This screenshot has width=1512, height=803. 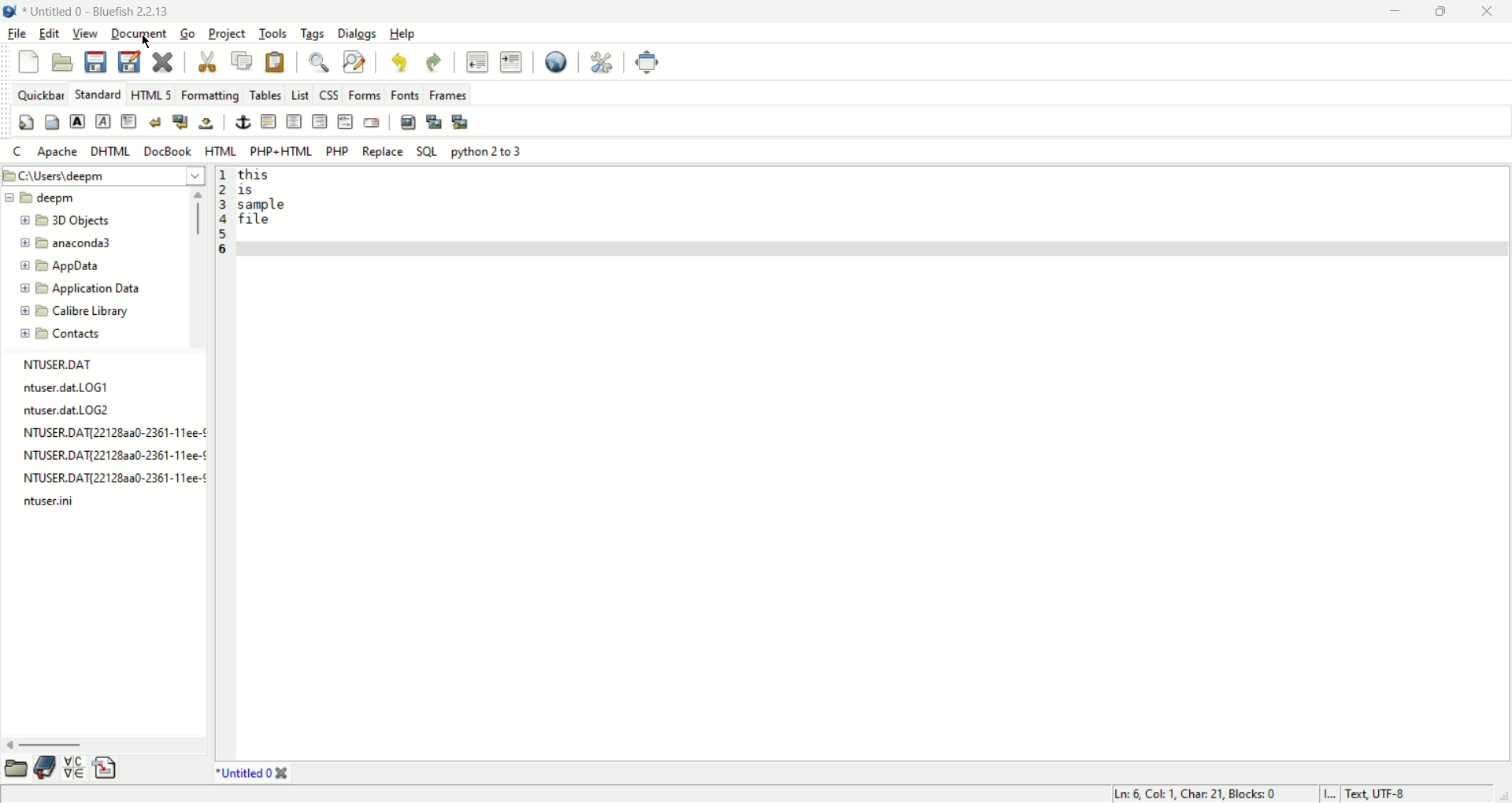 I want to click on help, so click(x=404, y=34).